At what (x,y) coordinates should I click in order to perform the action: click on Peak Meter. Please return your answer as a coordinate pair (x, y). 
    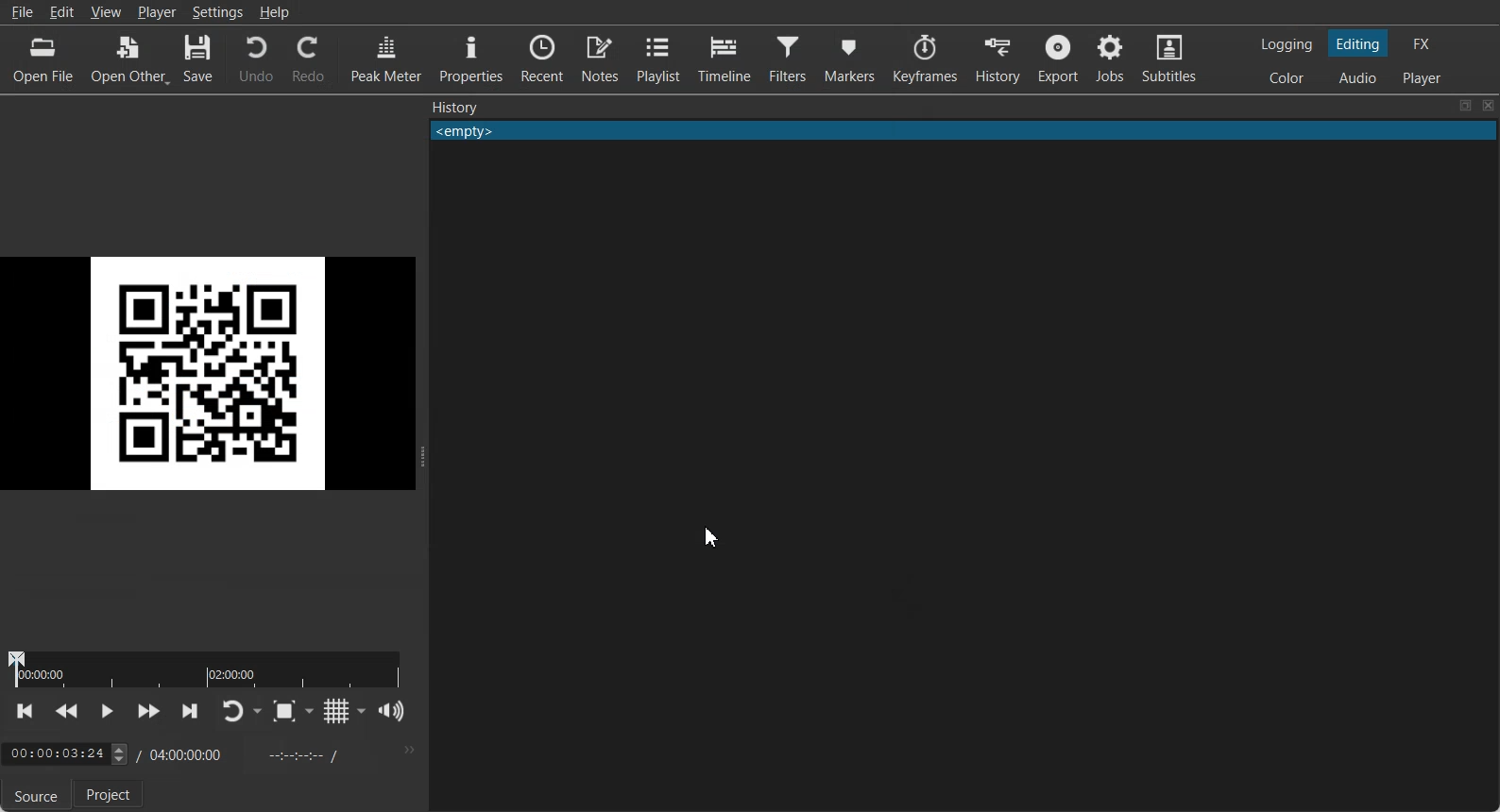
    Looking at the image, I should click on (386, 57).